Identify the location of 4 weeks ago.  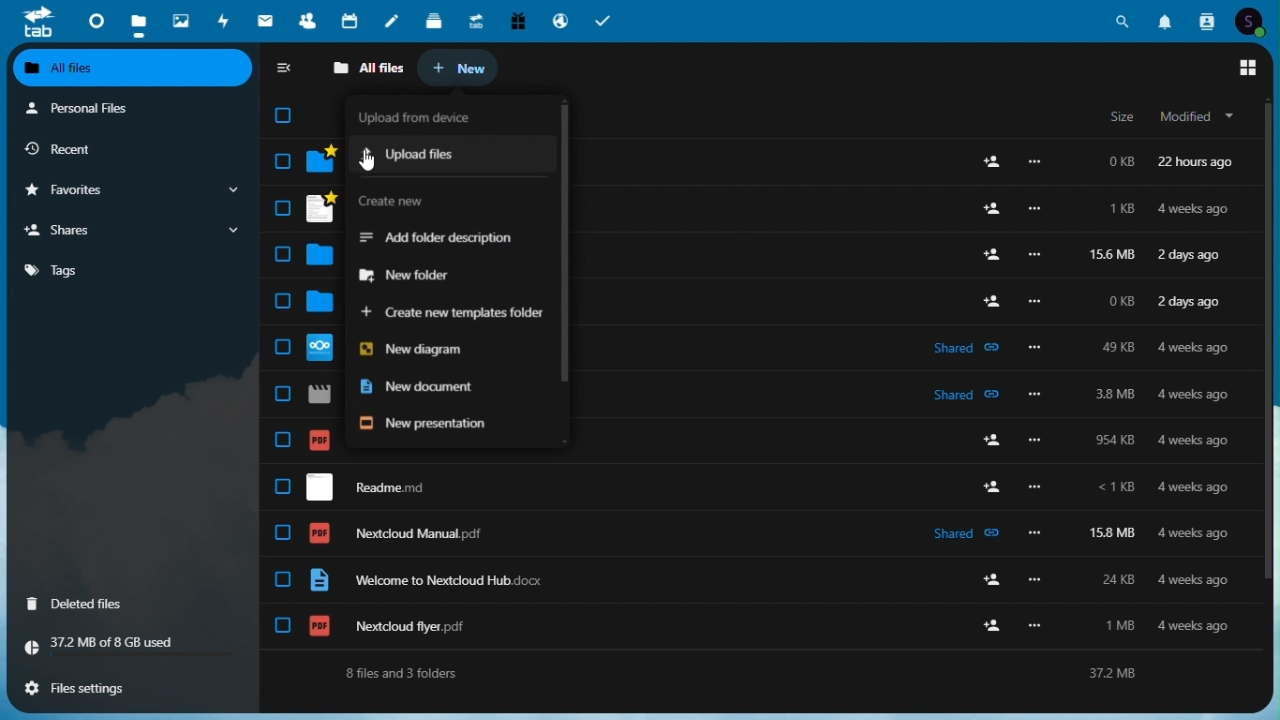
(1194, 489).